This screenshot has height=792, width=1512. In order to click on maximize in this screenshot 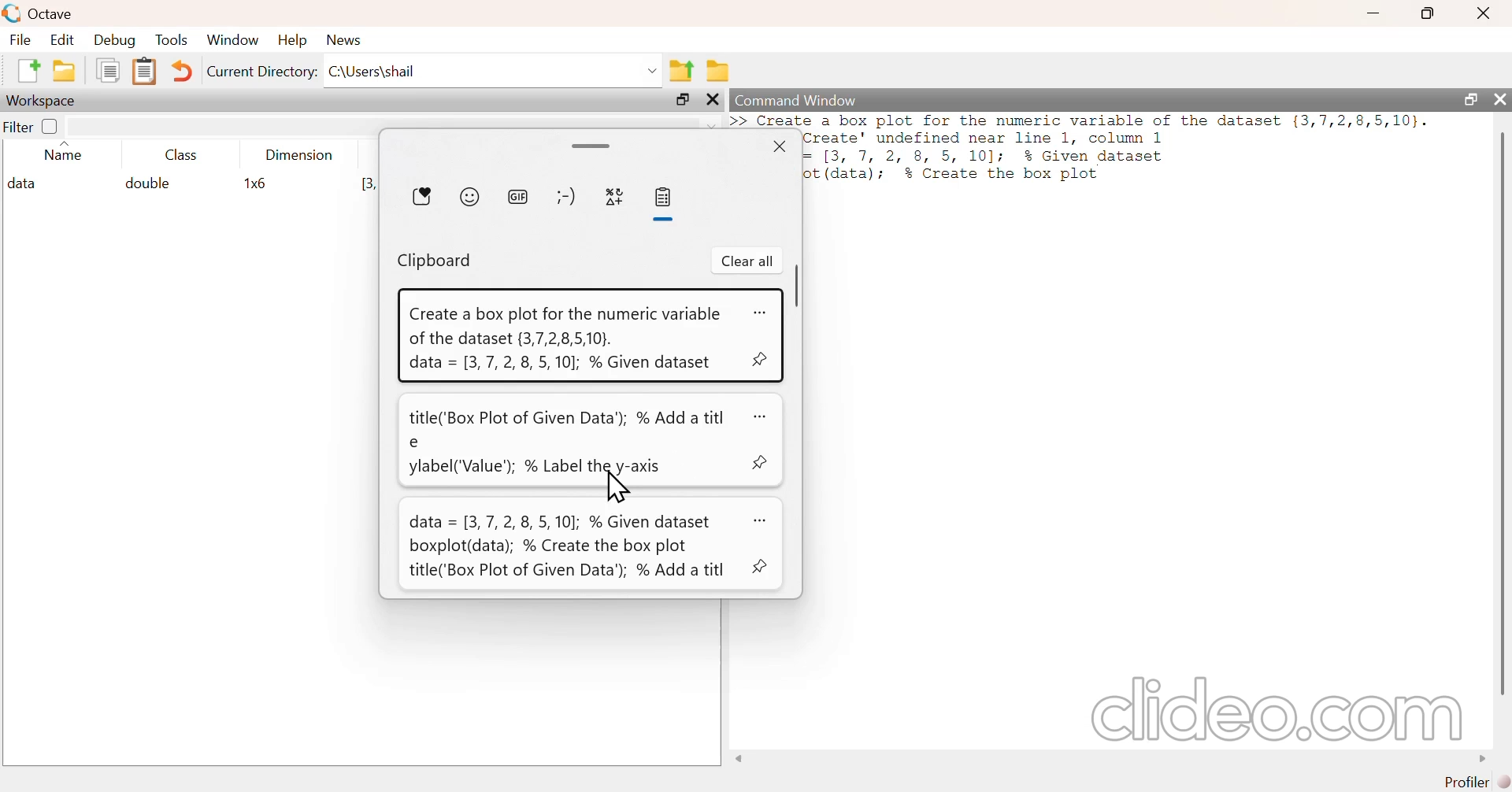, I will do `click(677, 99)`.